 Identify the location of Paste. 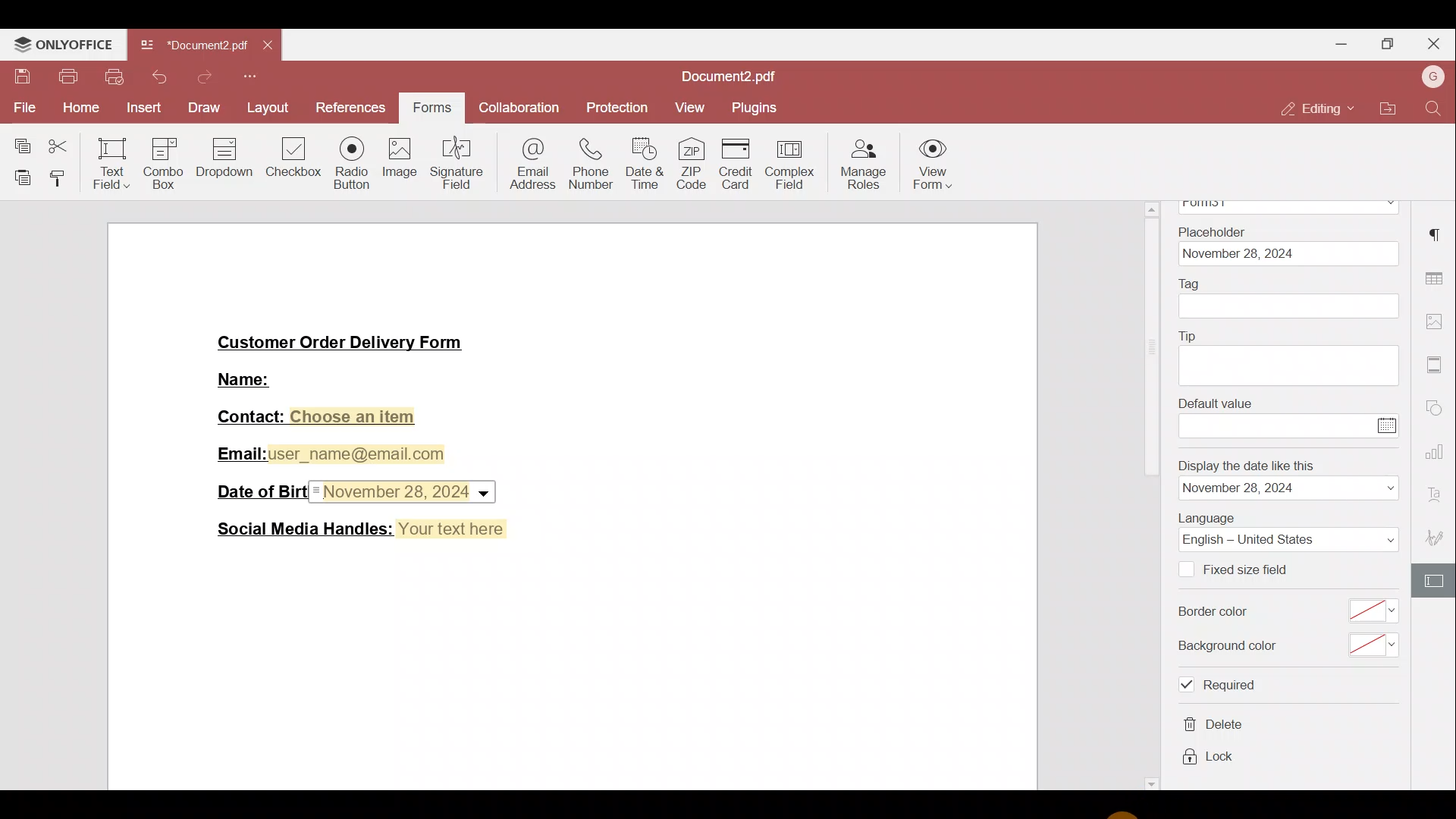
(18, 174).